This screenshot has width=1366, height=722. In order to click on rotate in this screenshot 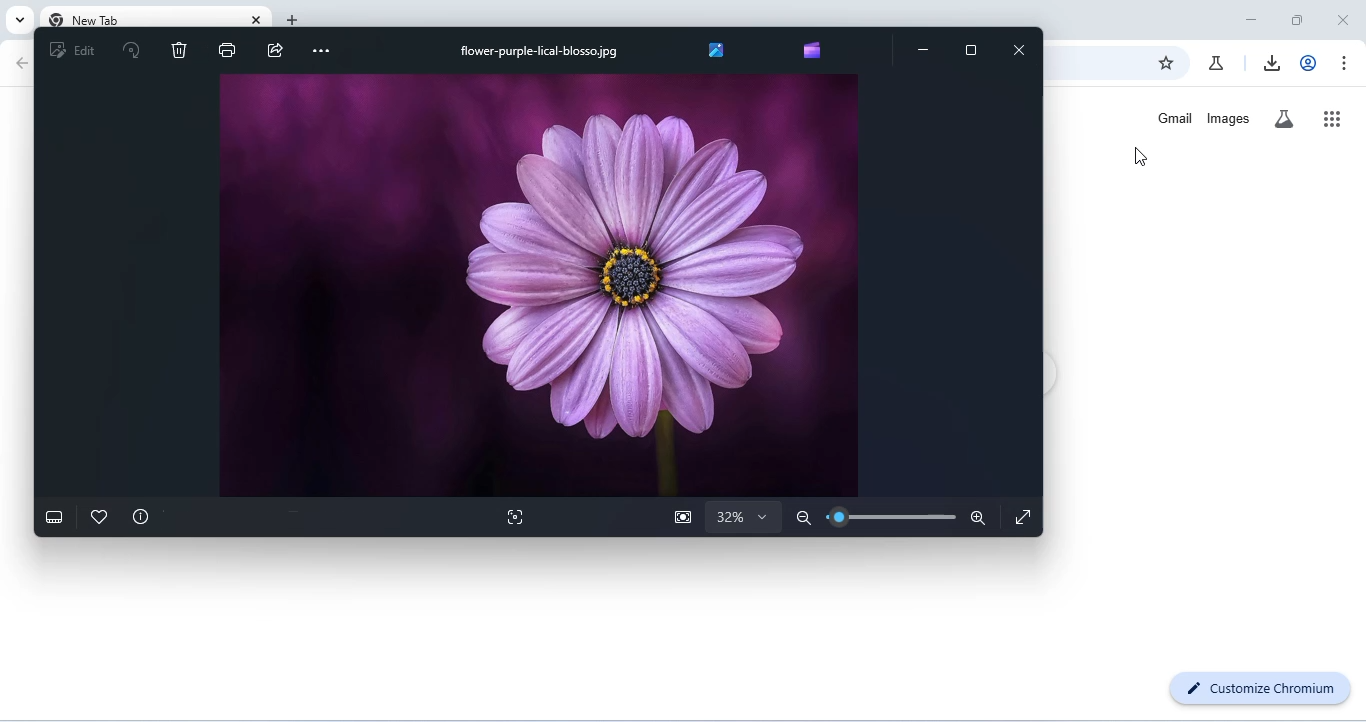, I will do `click(133, 52)`.